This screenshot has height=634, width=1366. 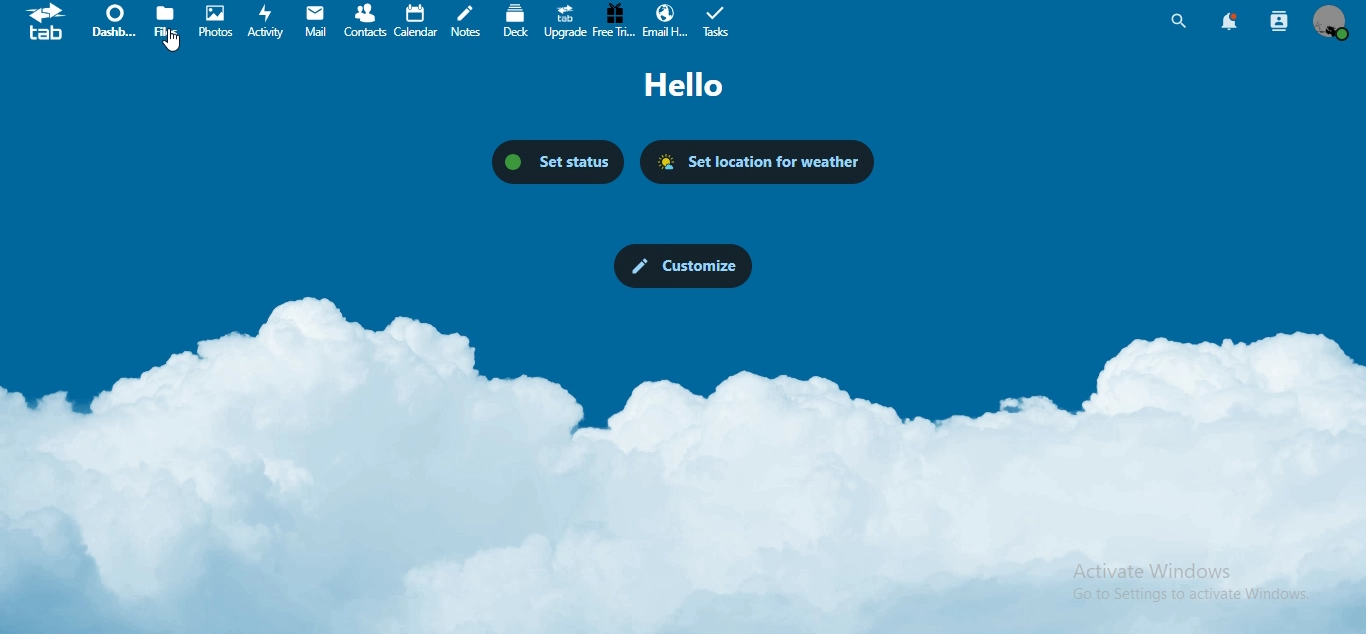 What do you see at coordinates (1230, 21) in the screenshot?
I see `notifications` at bounding box center [1230, 21].